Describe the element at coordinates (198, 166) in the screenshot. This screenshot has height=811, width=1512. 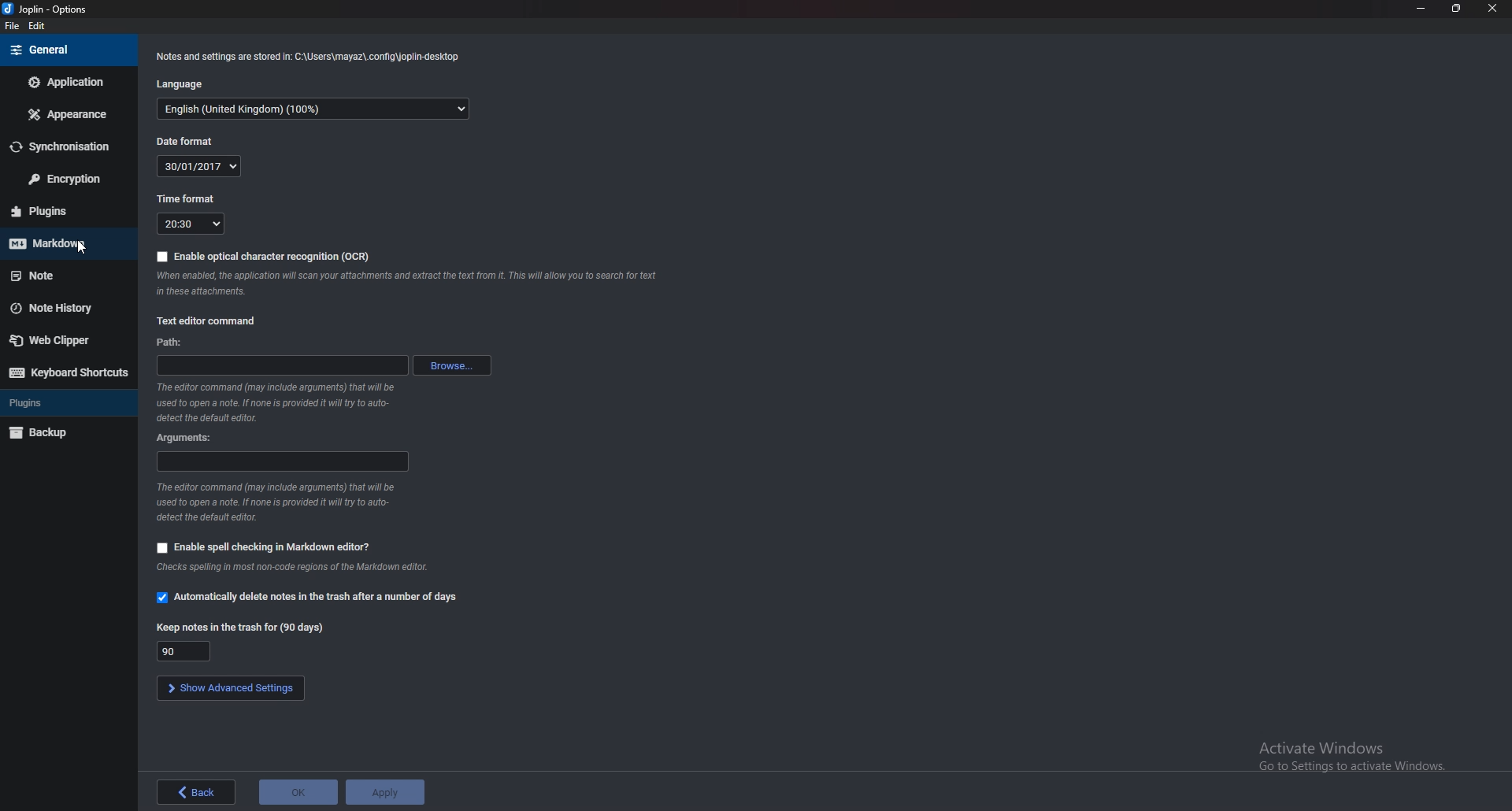
I see `30/01/2017` at that location.